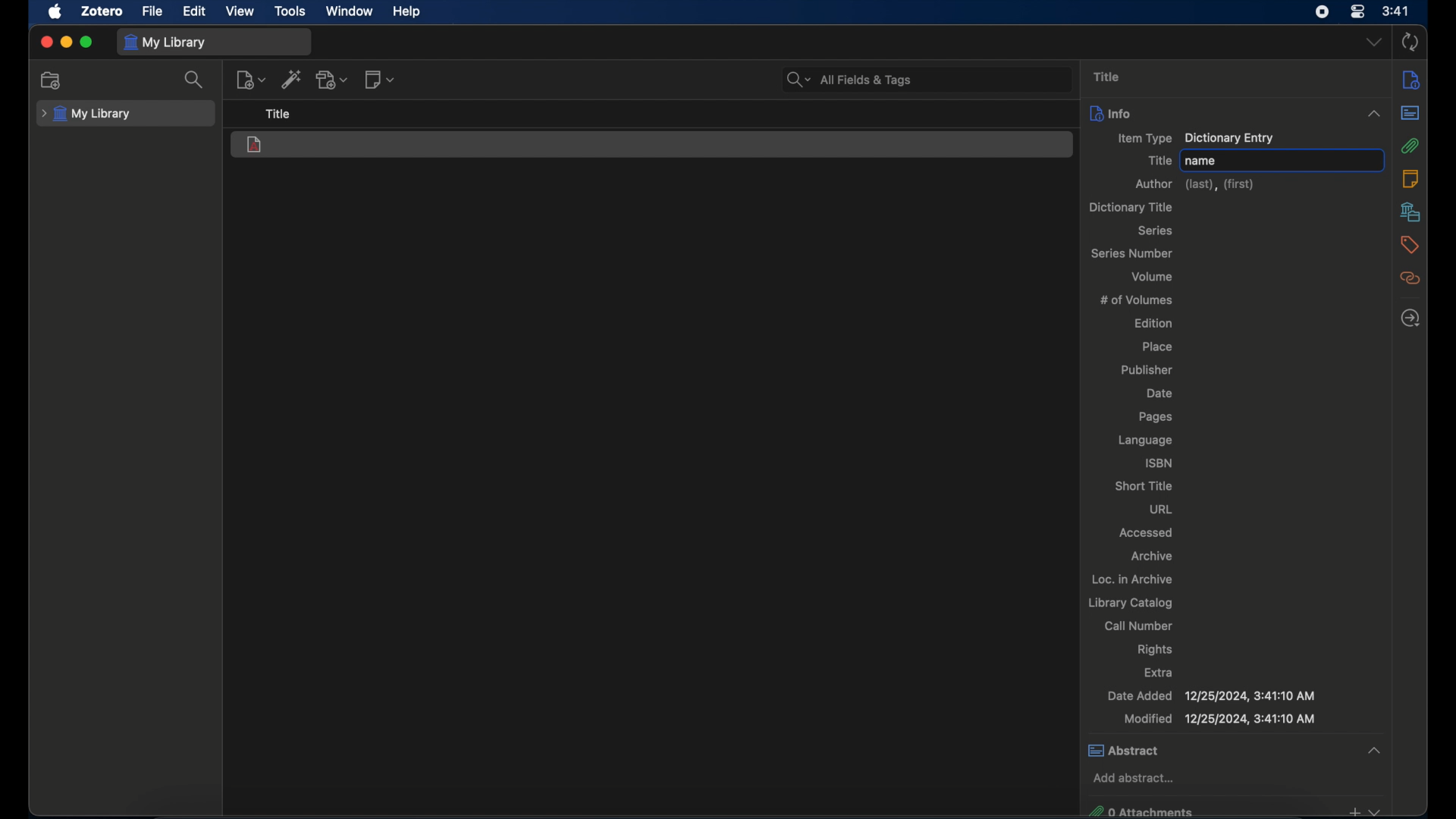  Describe the element at coordinates (103, 11) in the screenshot. I see `zotero` at that location.